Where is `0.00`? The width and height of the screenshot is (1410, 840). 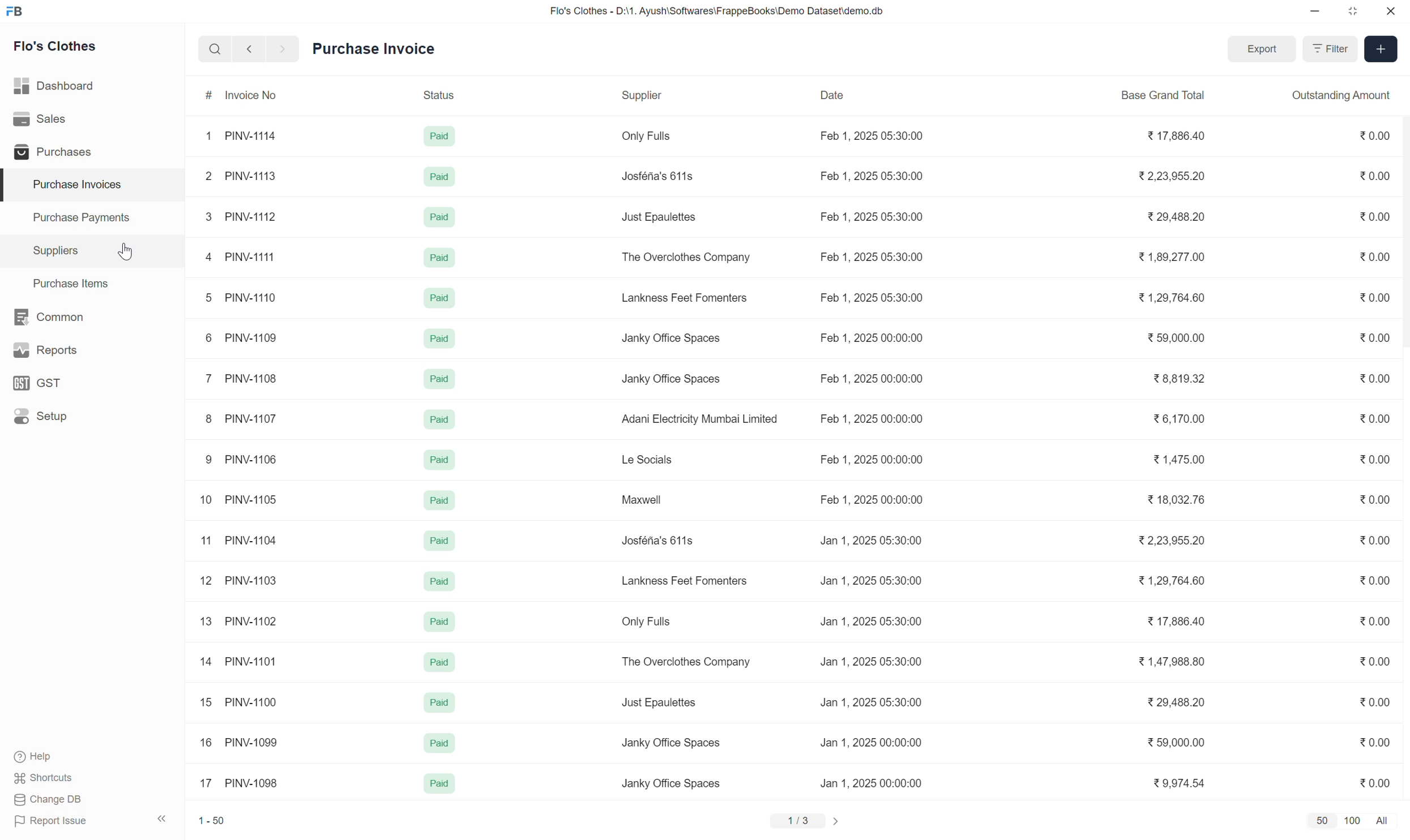
0.00 is located at coordinates (1374, 297).